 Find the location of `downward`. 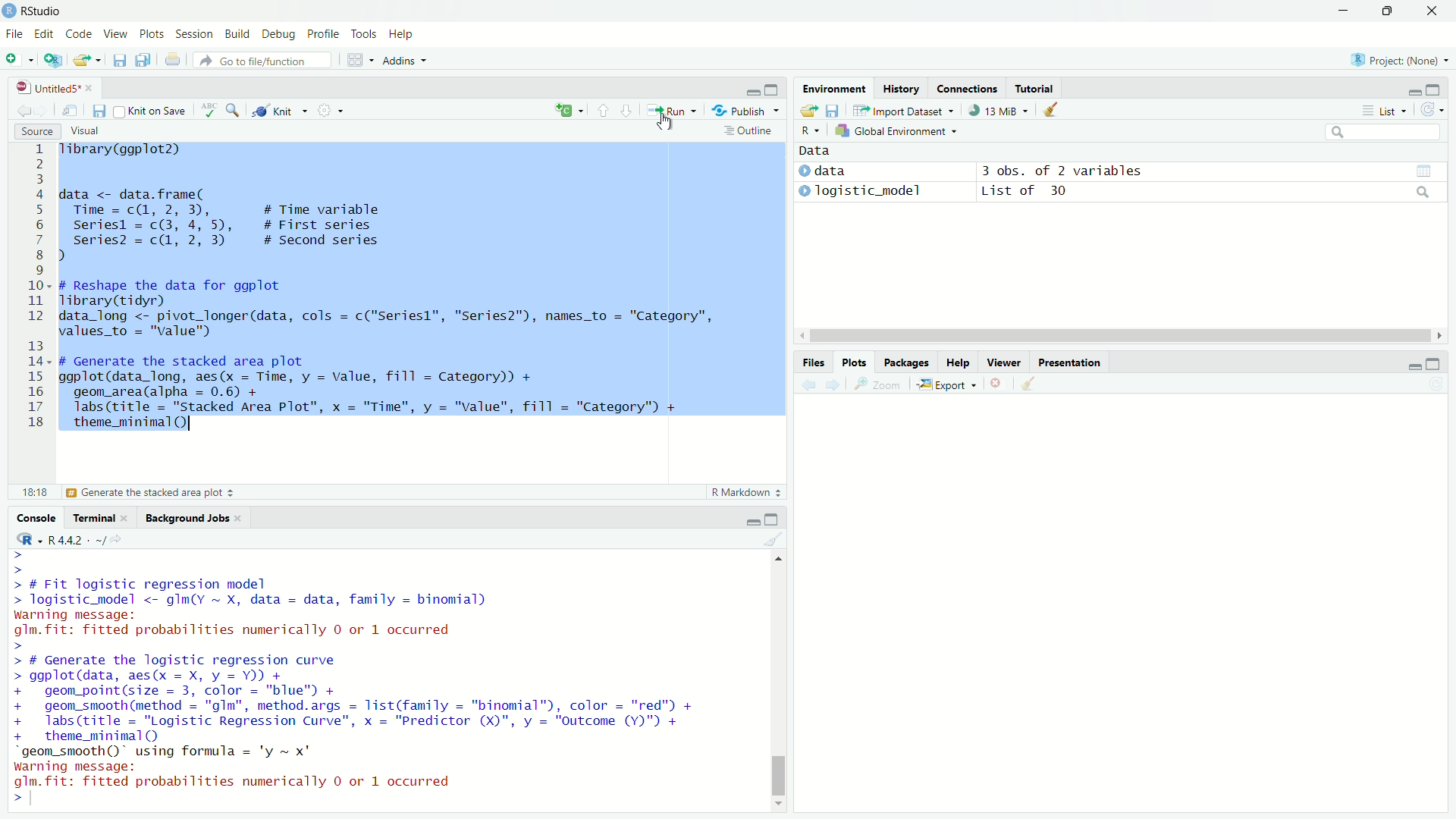

downward is located at coordinates (630, 113).